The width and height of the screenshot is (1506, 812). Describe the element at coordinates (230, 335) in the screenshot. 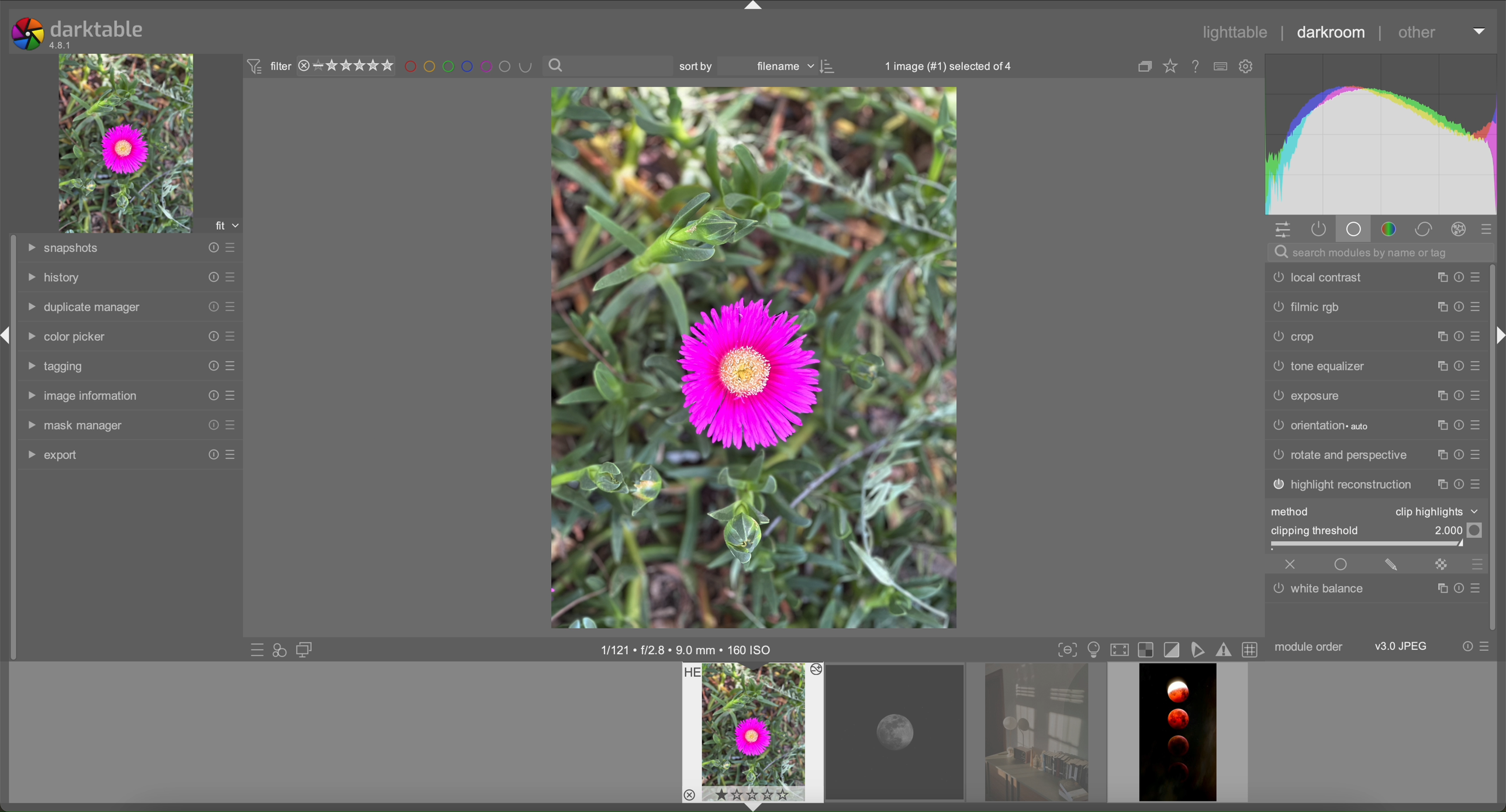

I see `presets` at that location.